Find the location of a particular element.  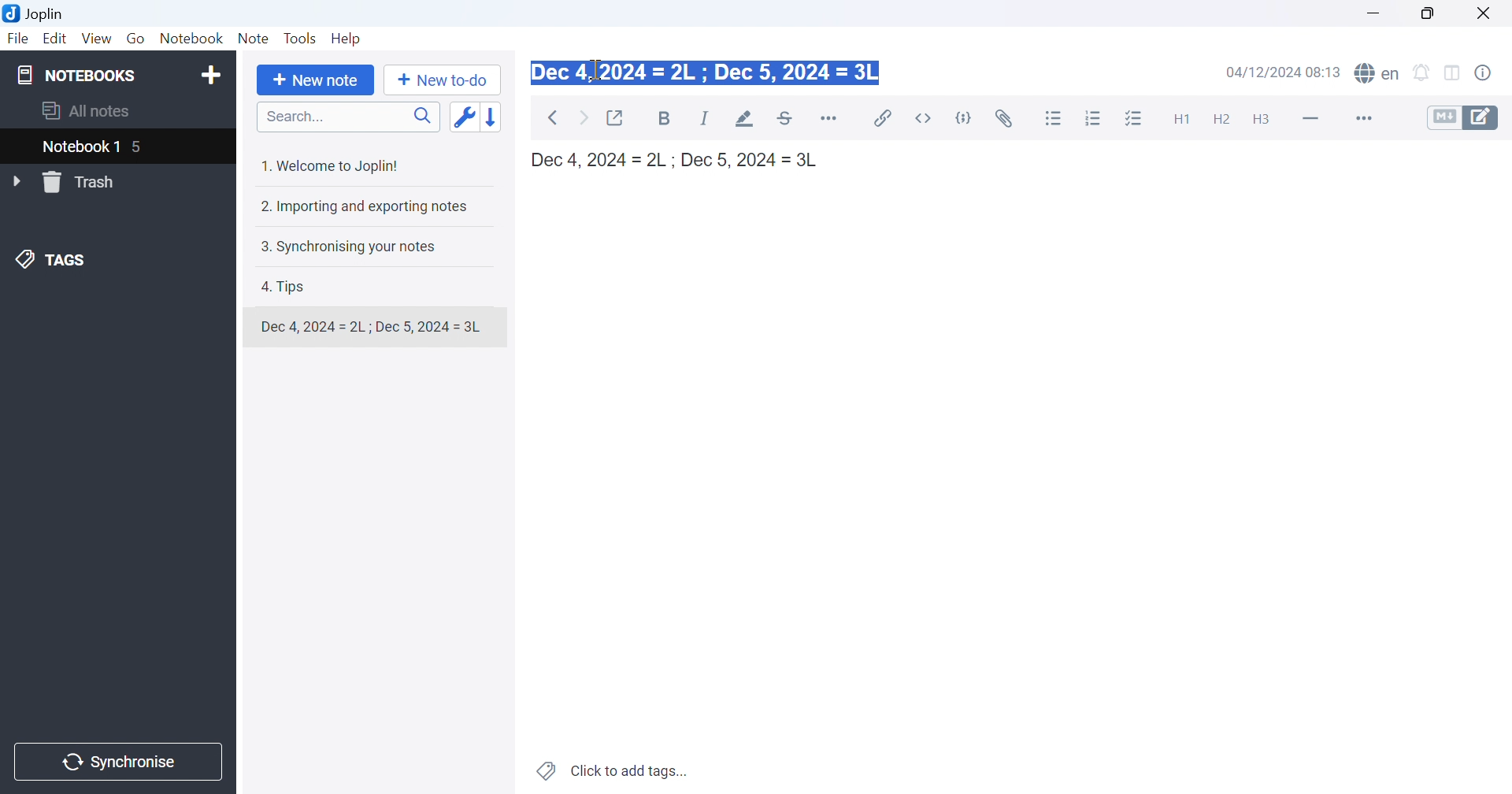

04/12/2024 08:13 is located at coordinates (1284, 72).